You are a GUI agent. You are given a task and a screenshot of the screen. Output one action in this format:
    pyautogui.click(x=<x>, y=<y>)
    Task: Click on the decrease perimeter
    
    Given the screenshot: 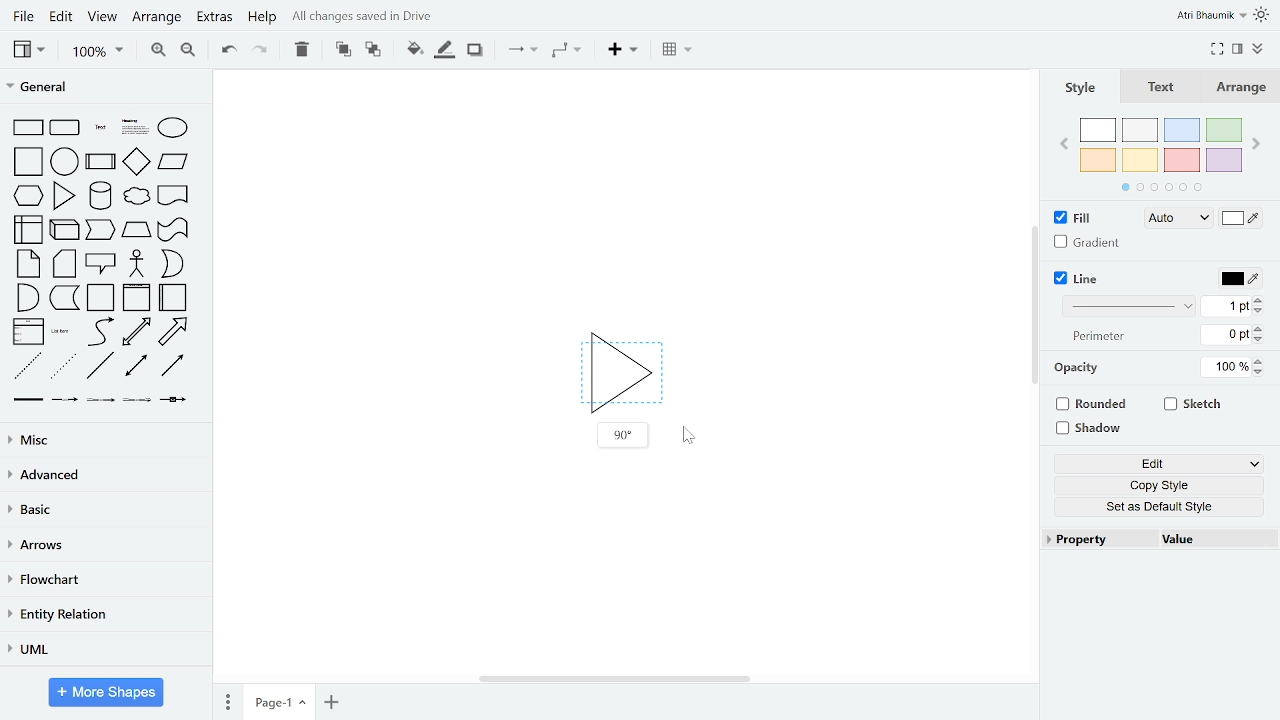 What is the action you would take?
    pyautogui.click(x=1259, y=339)
    